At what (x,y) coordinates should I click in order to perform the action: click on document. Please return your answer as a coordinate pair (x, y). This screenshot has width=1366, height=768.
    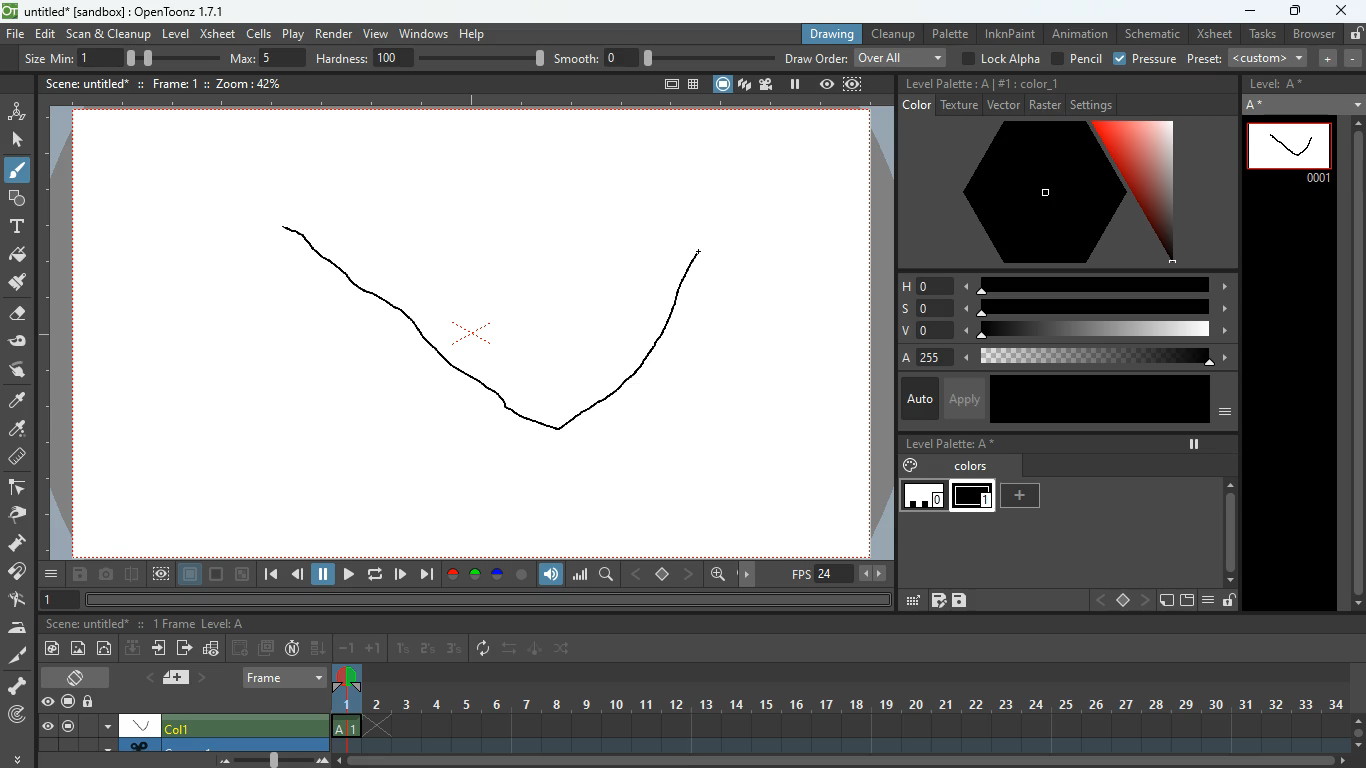
    Looking at the image, I should click on (668, 86).